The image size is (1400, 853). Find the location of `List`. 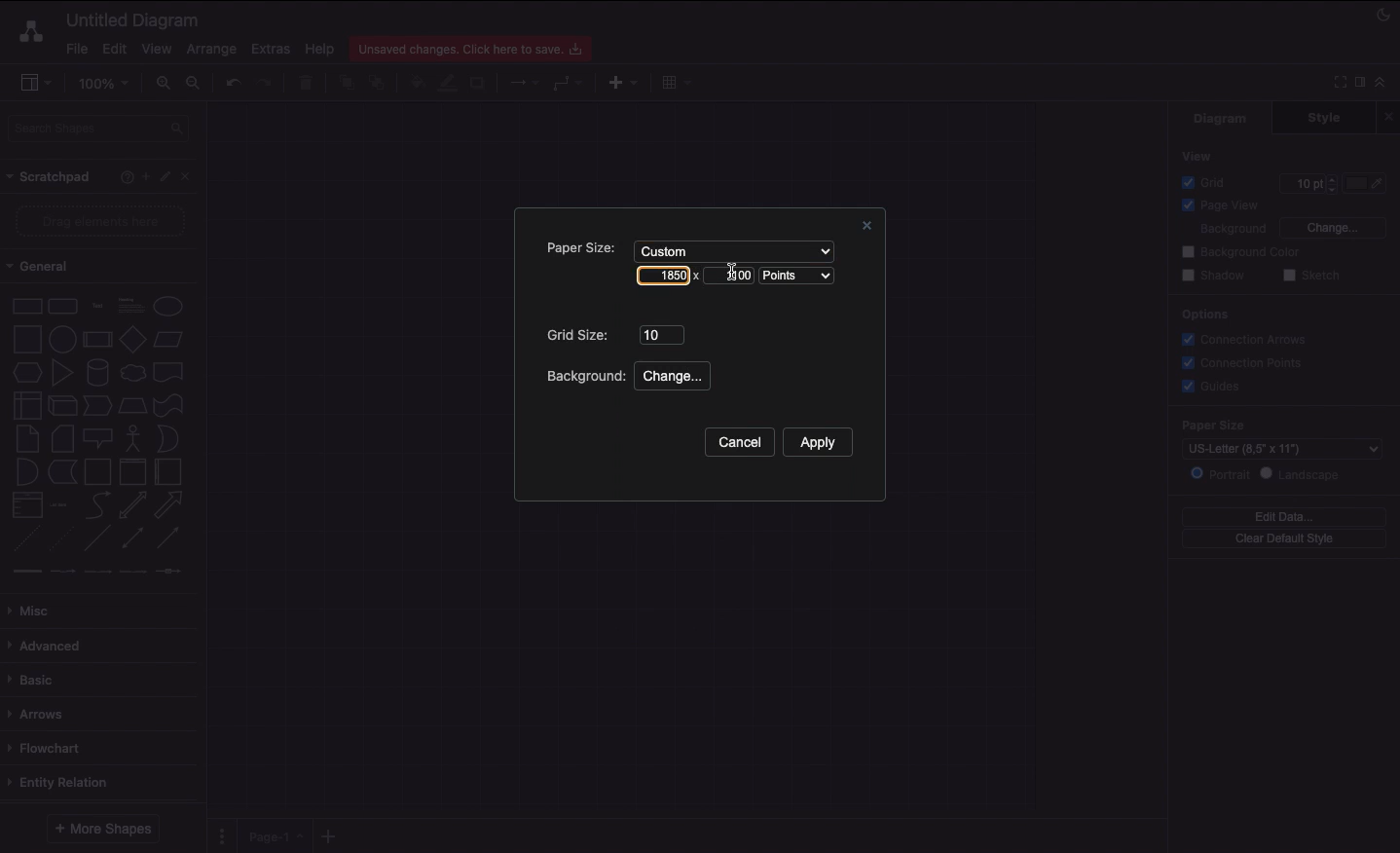

List is located at coordinates (25, 505).